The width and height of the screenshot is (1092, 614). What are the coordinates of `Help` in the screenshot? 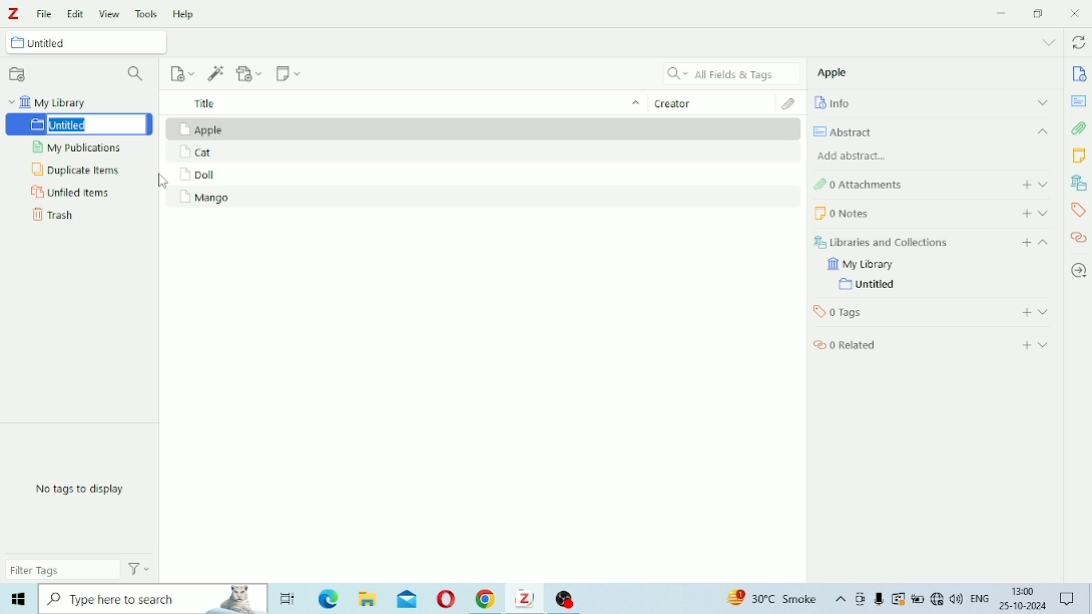 It's located at (185, 14).